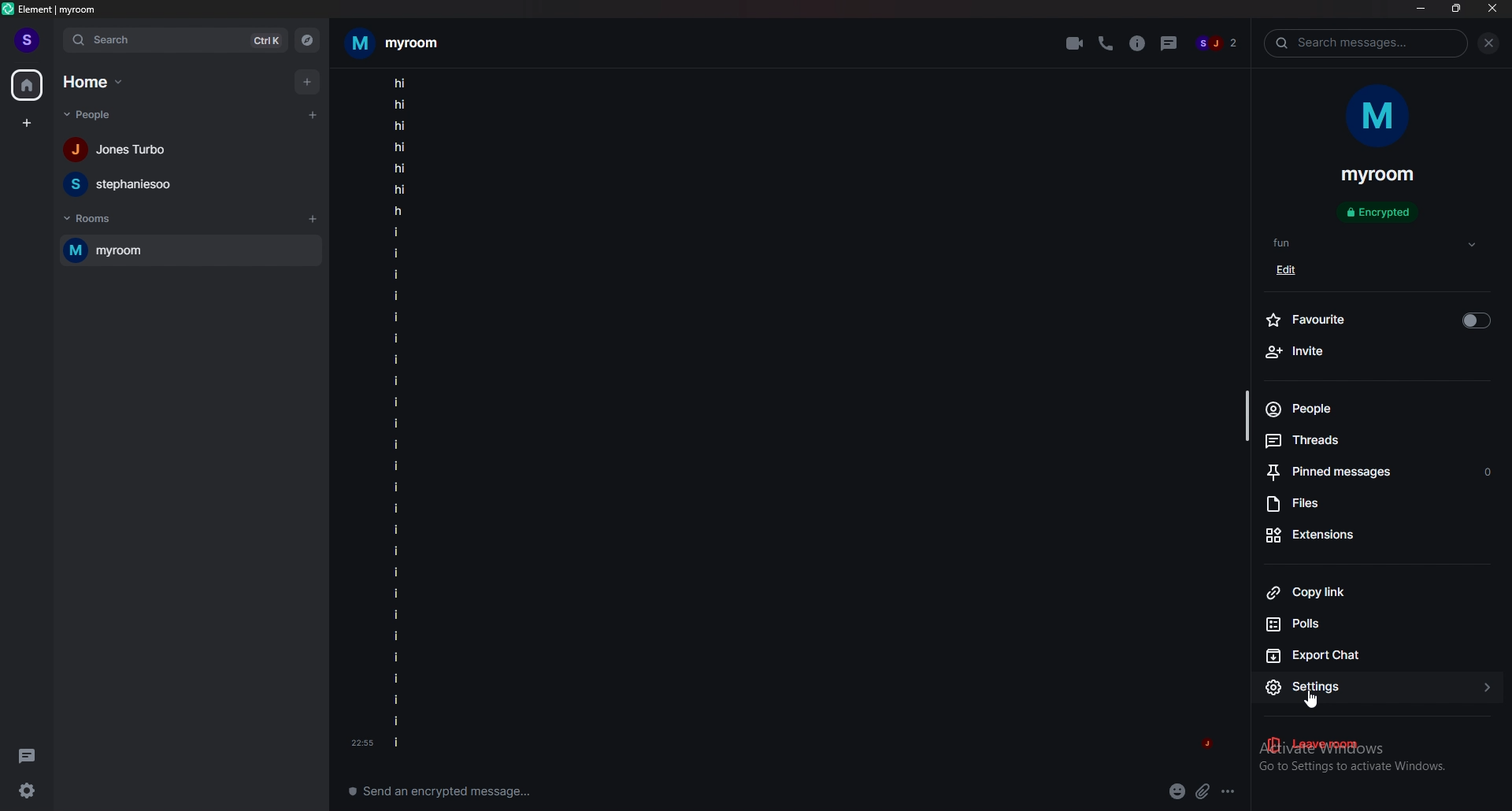 This screenshot has width=1512, height=811. What do you see at coordinates (447, 789) in the screenshot?
I see `message box` at bounding box center [447, 789].